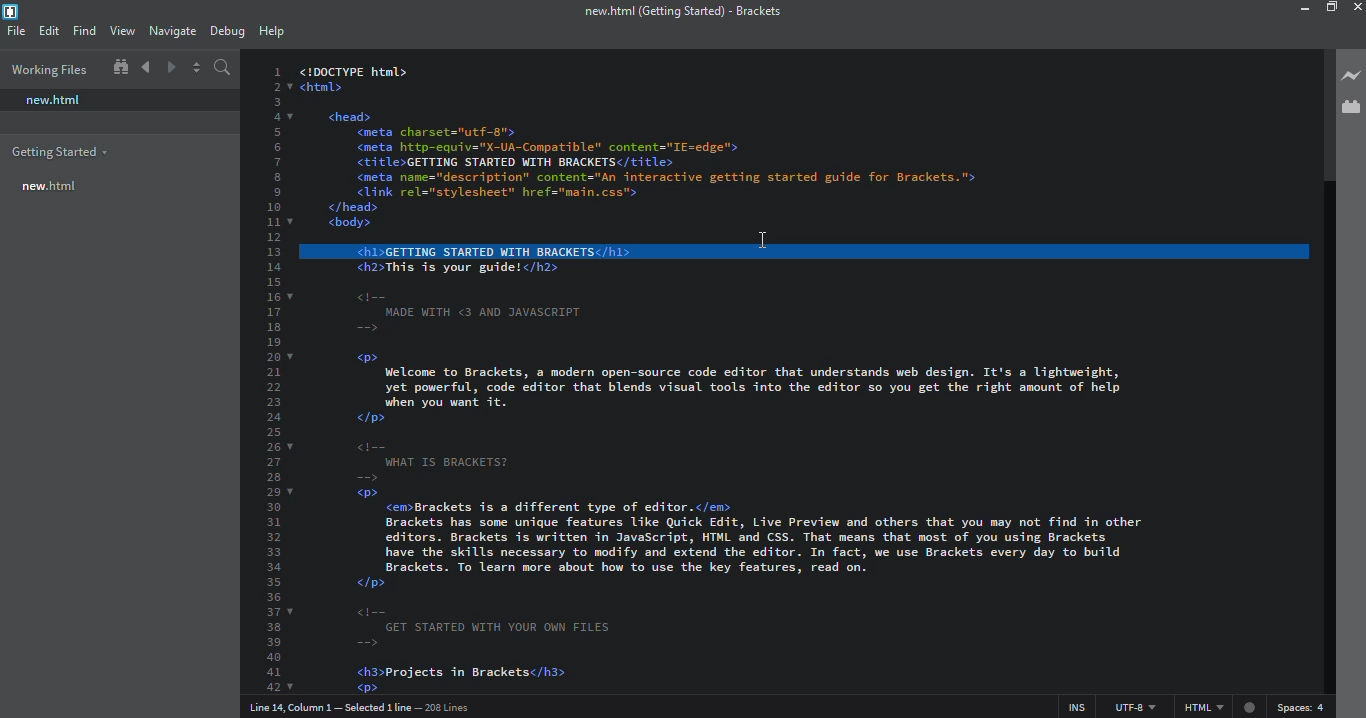 This screenshot has height=718, width=1366. Describe the element at coordinates (740, 484) in the screenshot. I see `test code` at that location.